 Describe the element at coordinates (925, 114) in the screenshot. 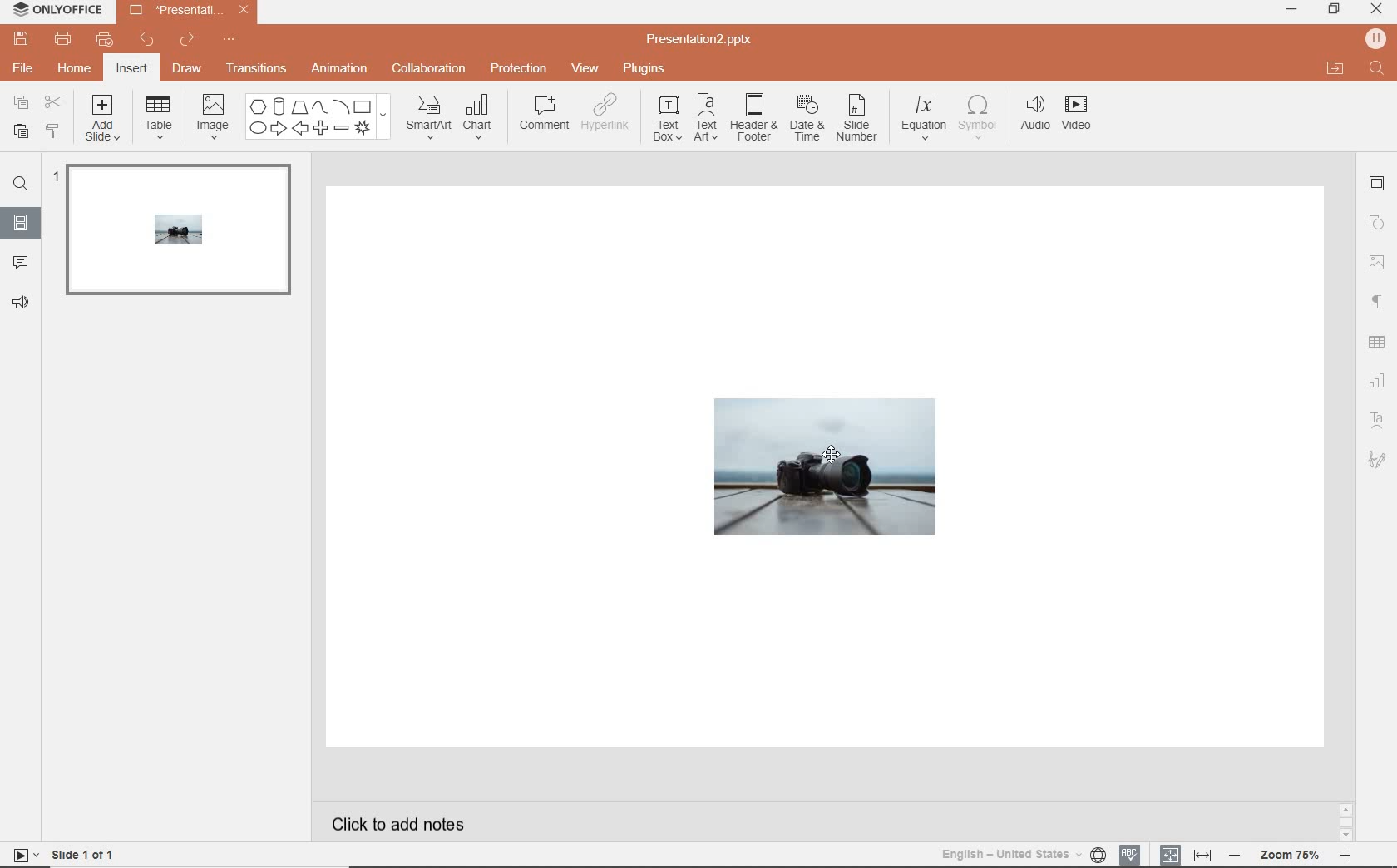

I see `equation` at that location.